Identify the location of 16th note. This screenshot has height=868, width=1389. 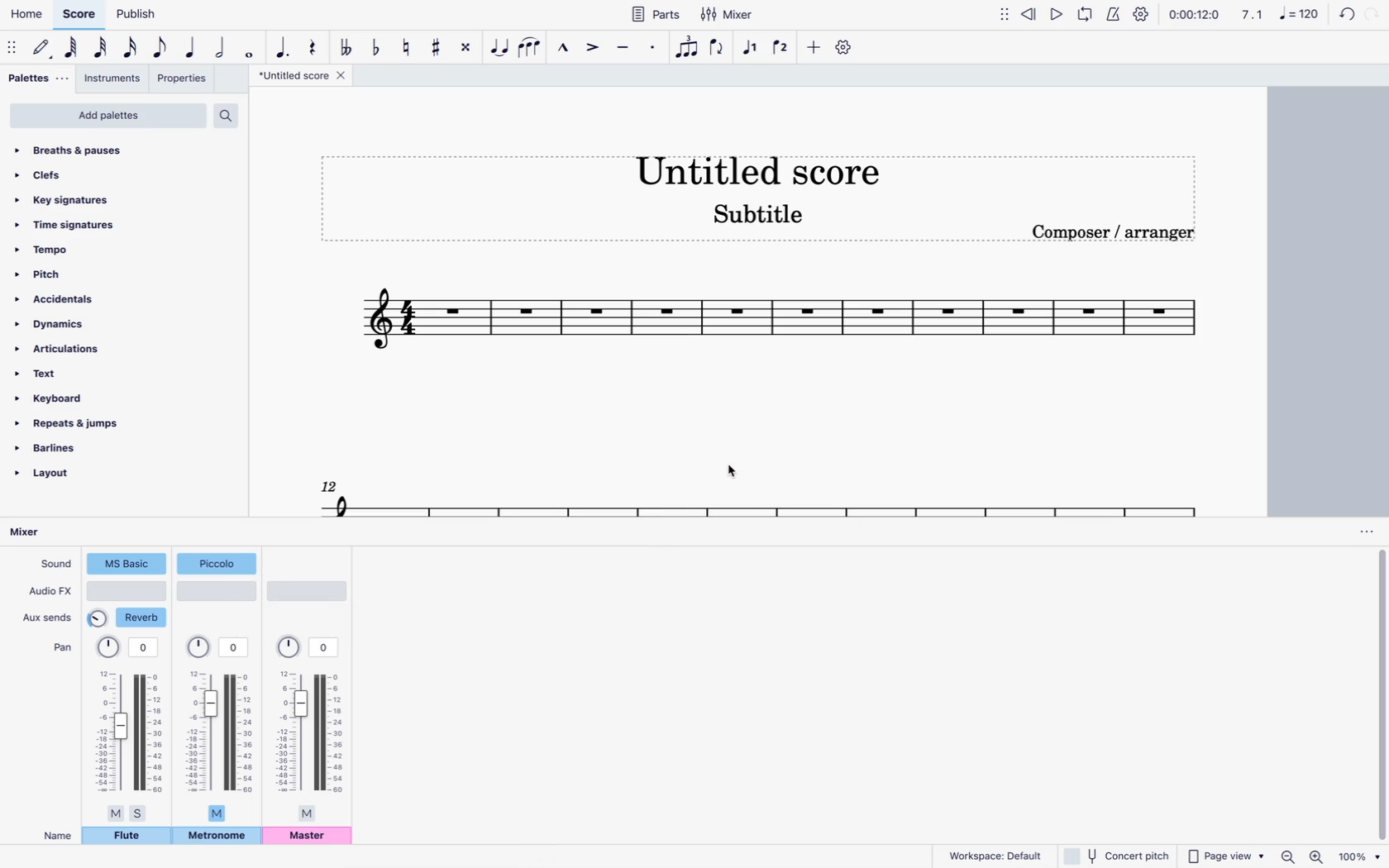
(131, 48).